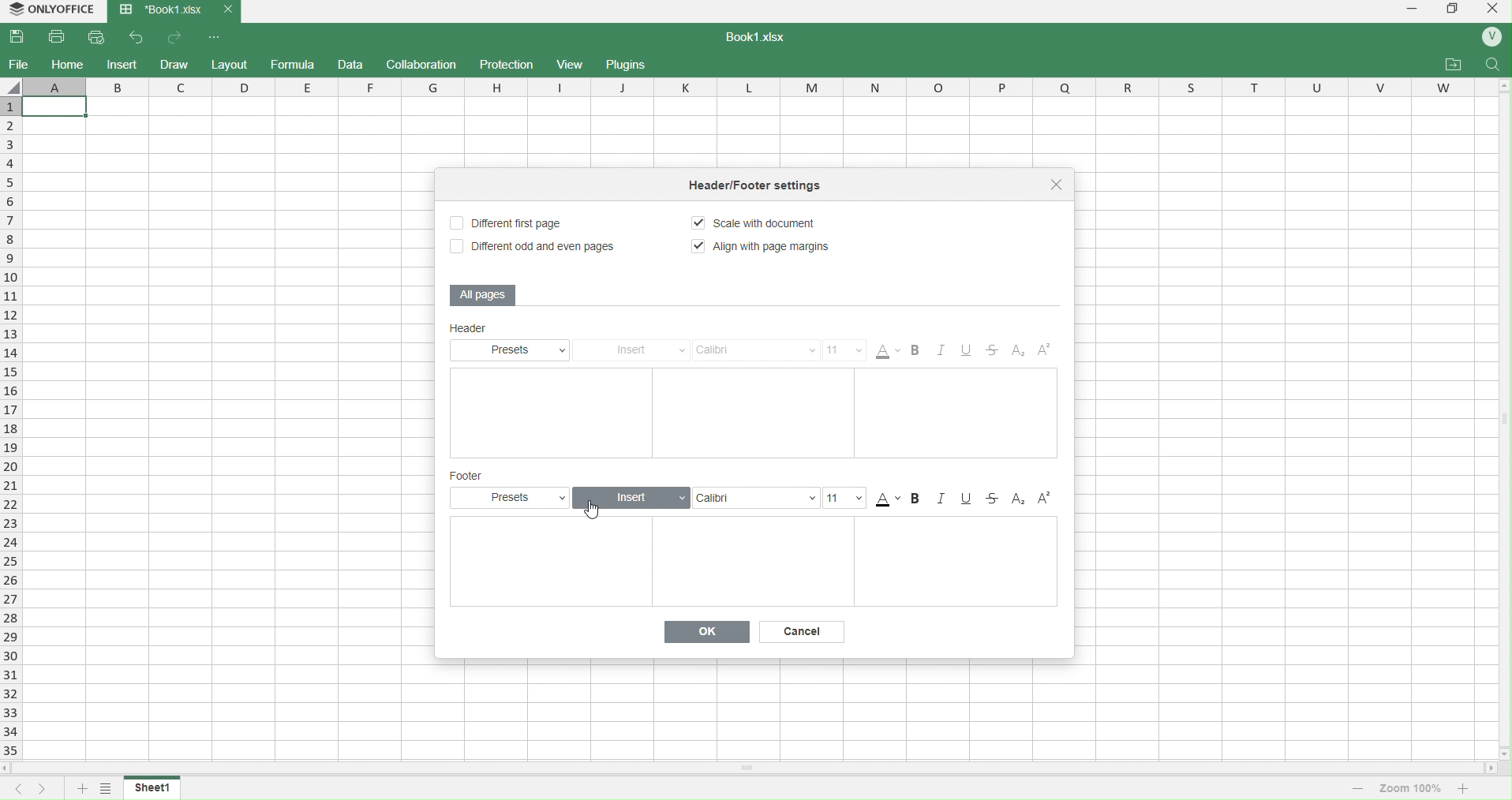  What do you see at coordinates (752, 563) in the screenshot?
I see `Text Boxes` at bounding box center [752, 563].